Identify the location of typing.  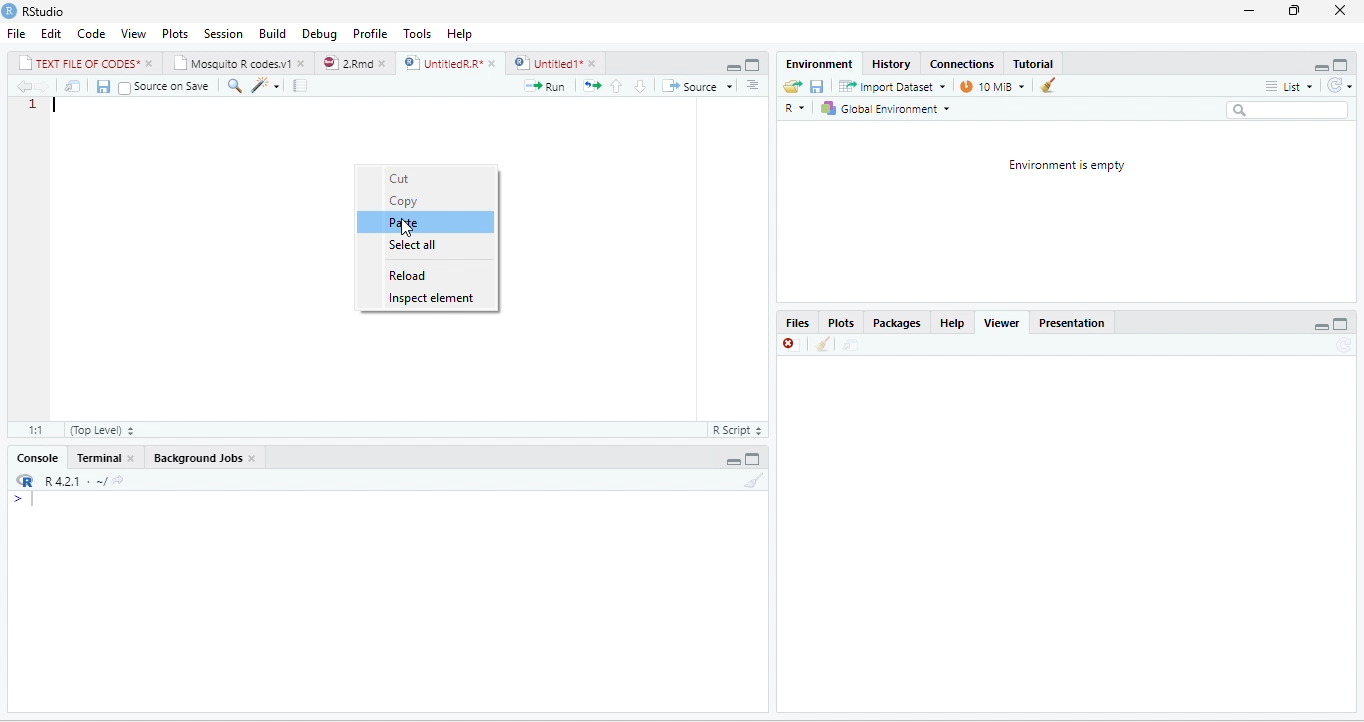
(56, 106).